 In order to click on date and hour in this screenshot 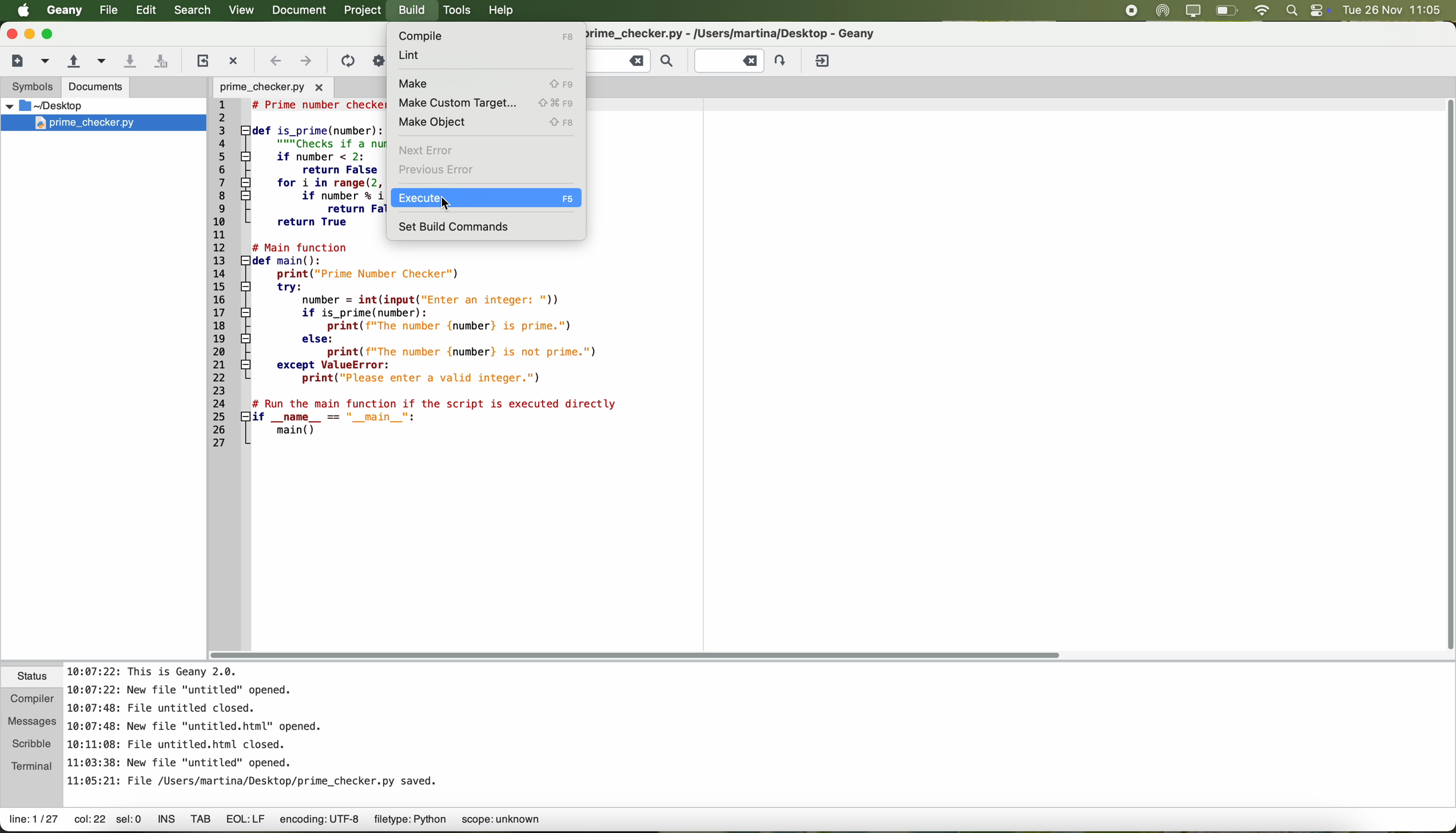, I will do `click(1397, 10)`.